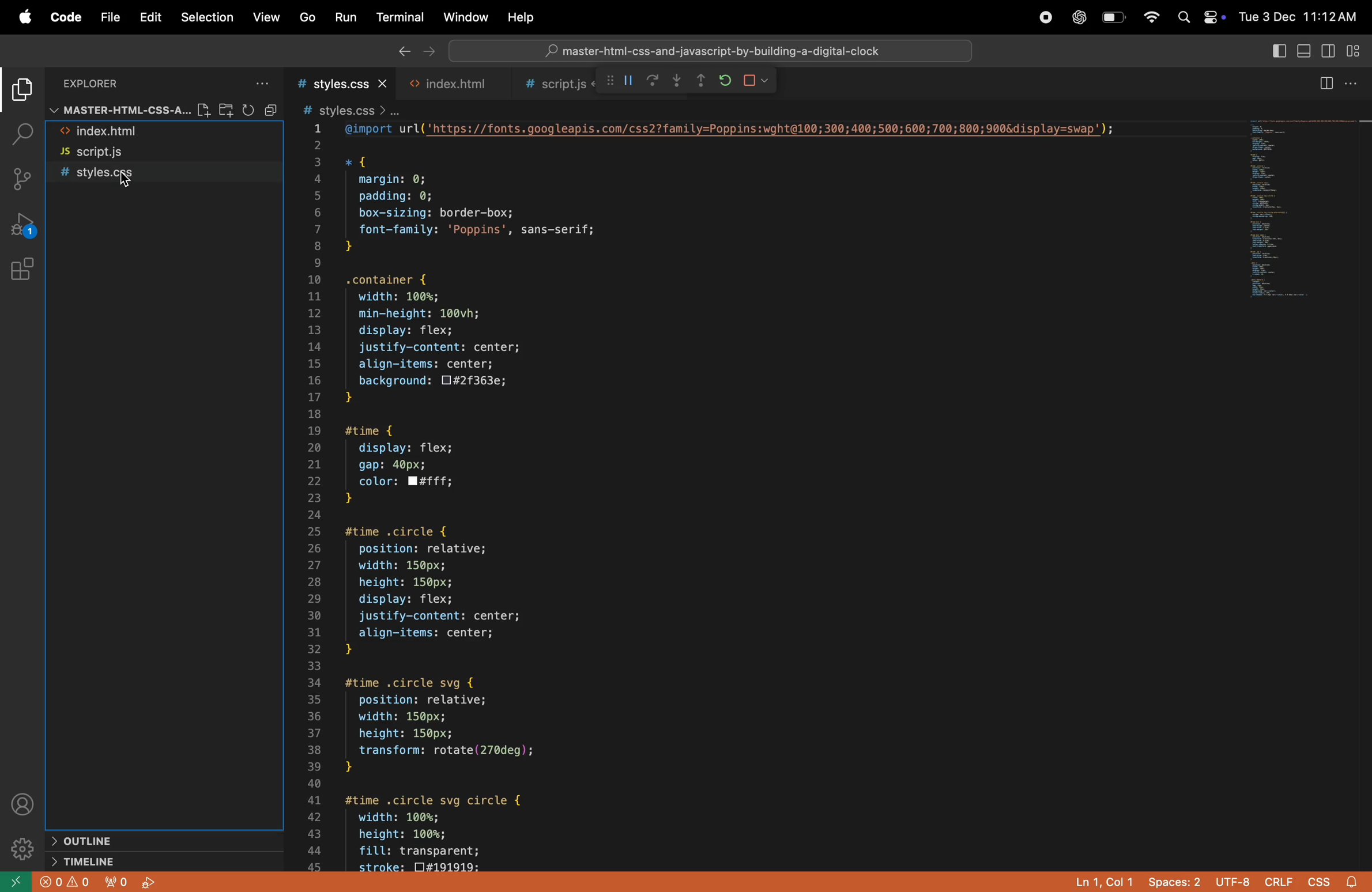 The width and height of the screenshot is (1372, 892). Describe the element at coordinates (20, 91) in the screenshot. I see `explorer` at that location.